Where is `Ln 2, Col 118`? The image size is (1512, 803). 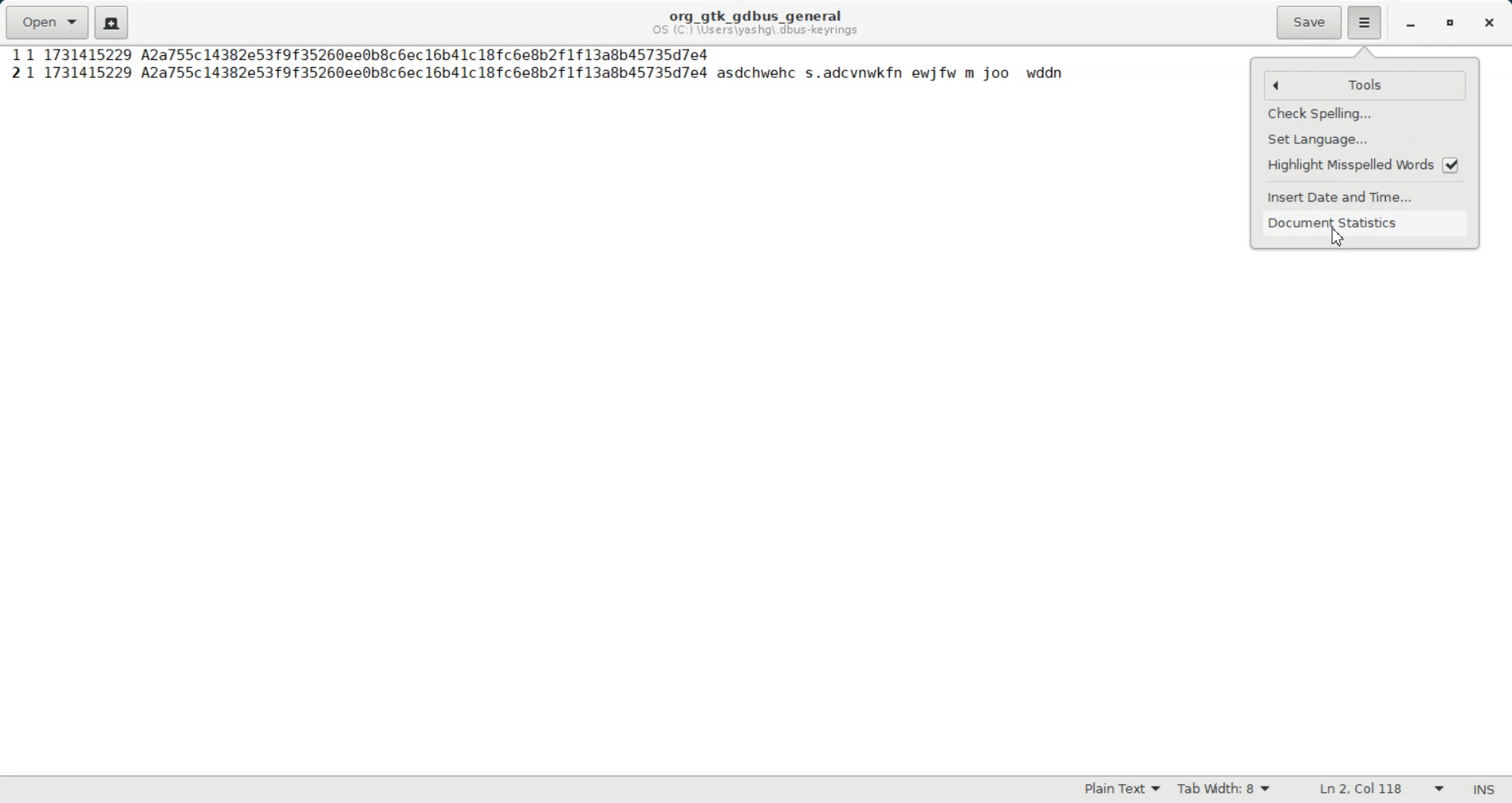 Ln 2, Col 118 is located at coordinates (1381, 789).